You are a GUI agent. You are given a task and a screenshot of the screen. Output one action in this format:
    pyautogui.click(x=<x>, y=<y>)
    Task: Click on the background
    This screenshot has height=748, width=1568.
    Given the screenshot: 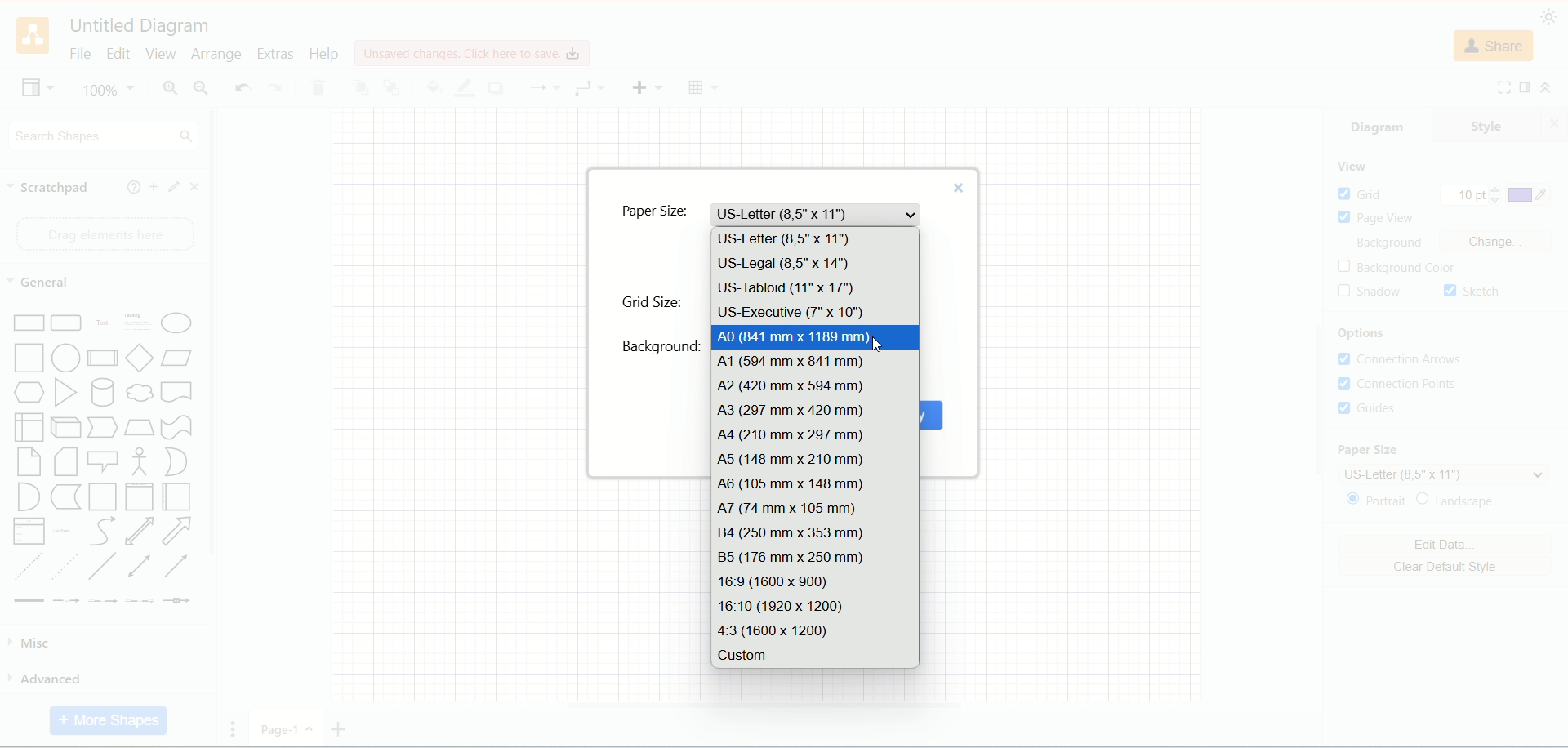 What is the action you would take?
    pyautogui.click(x=1396, y=244)
    